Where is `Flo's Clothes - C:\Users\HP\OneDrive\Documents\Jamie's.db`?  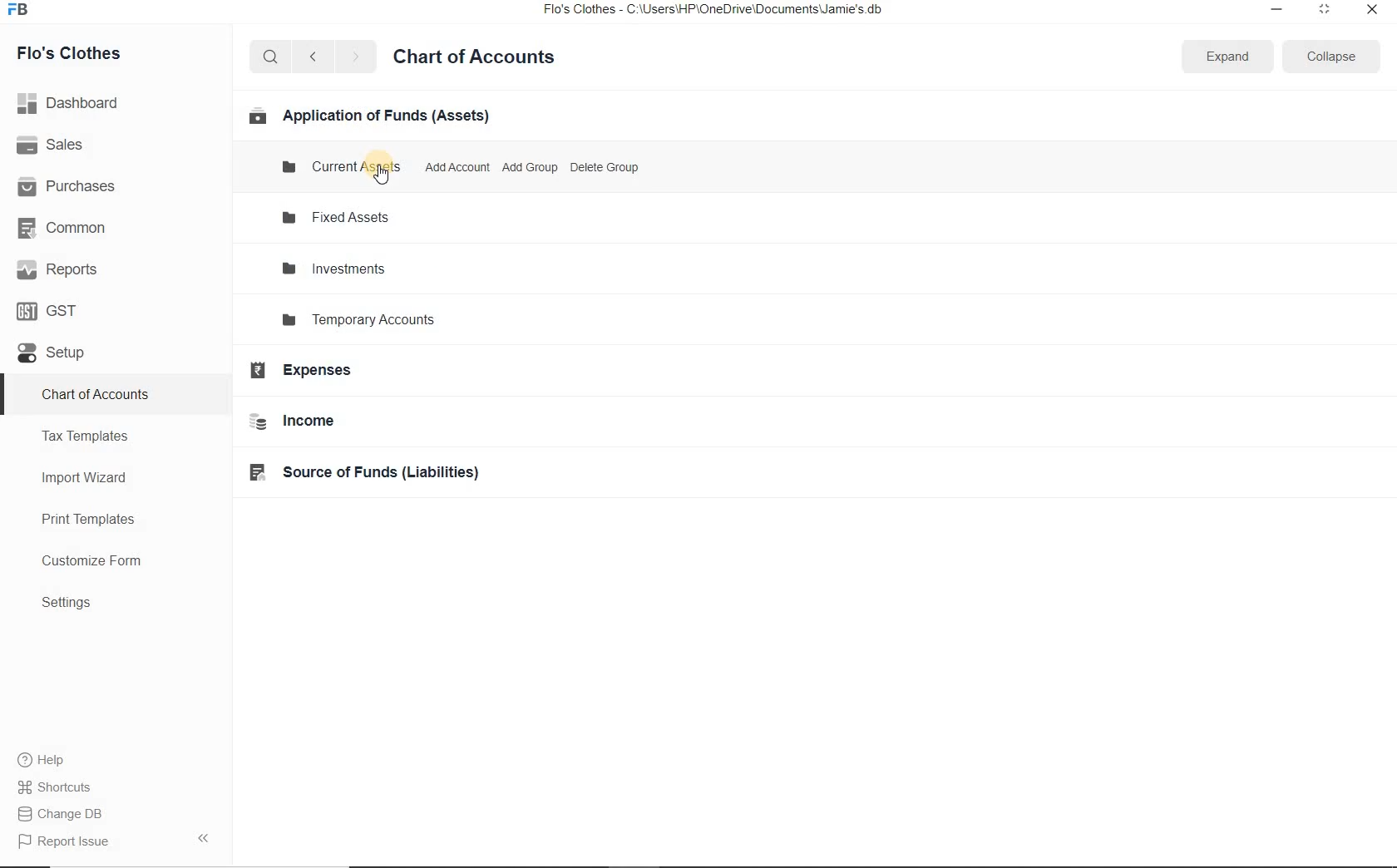 Flo's Clothes - C:\Users\HP\OneDrive\Documents\Jamie's.db is located at coordinates (714, 12).